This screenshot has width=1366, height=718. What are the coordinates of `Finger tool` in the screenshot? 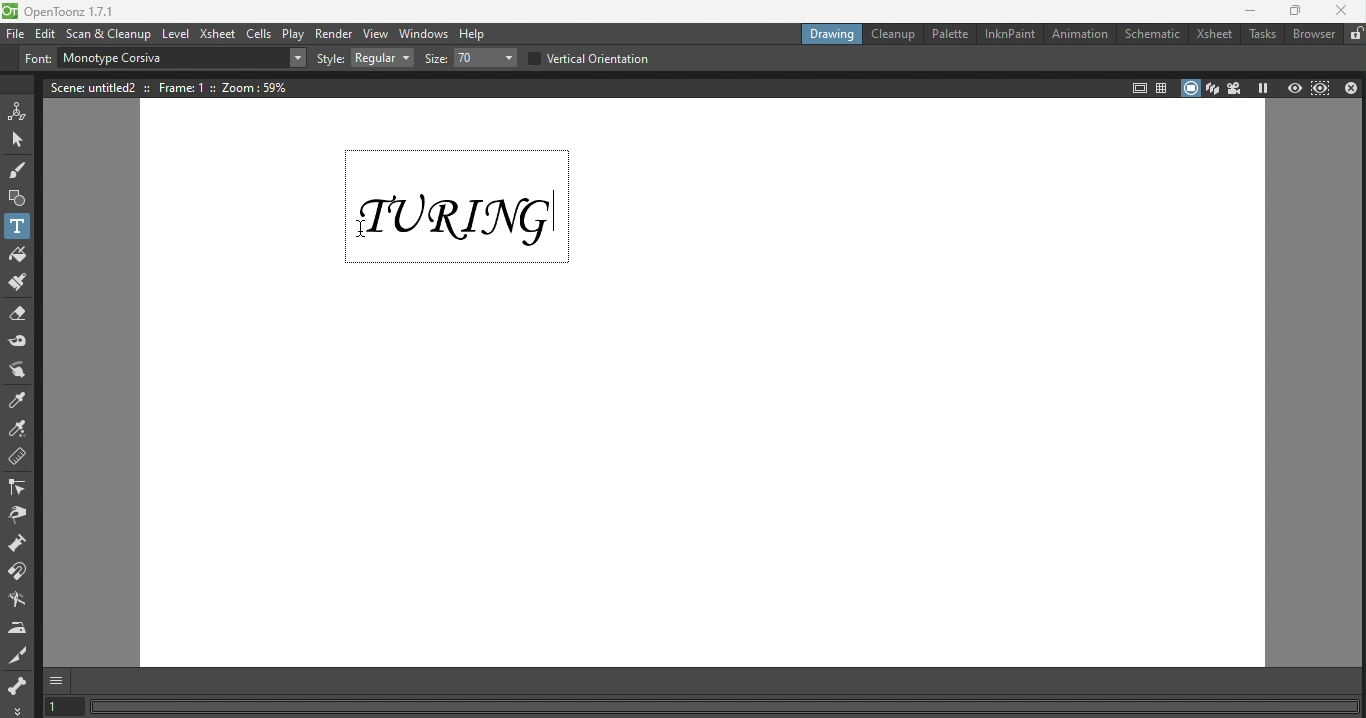 It's located at (21, 370).